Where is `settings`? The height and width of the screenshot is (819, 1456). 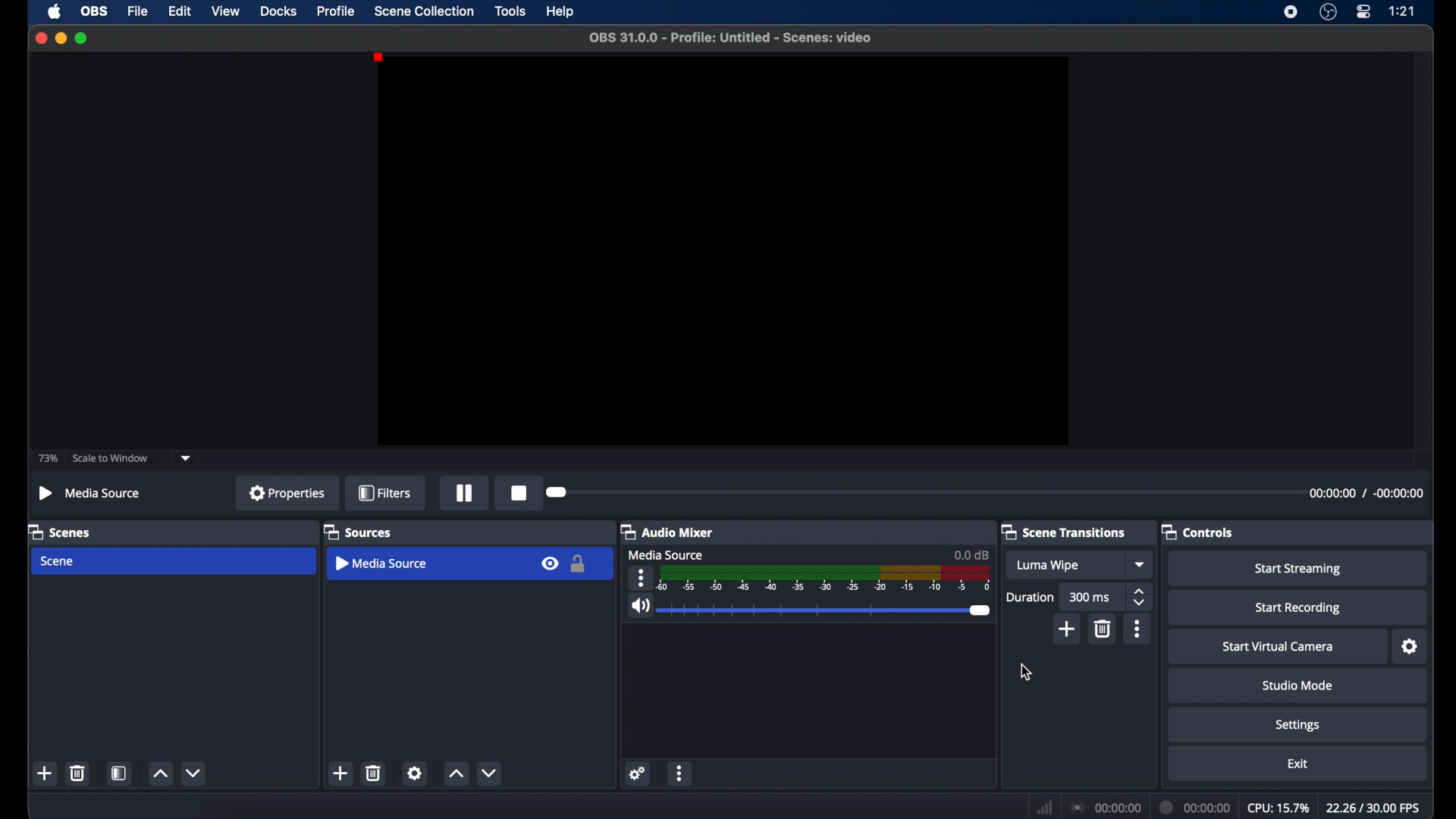
settings is located at coordinates (414, 773).